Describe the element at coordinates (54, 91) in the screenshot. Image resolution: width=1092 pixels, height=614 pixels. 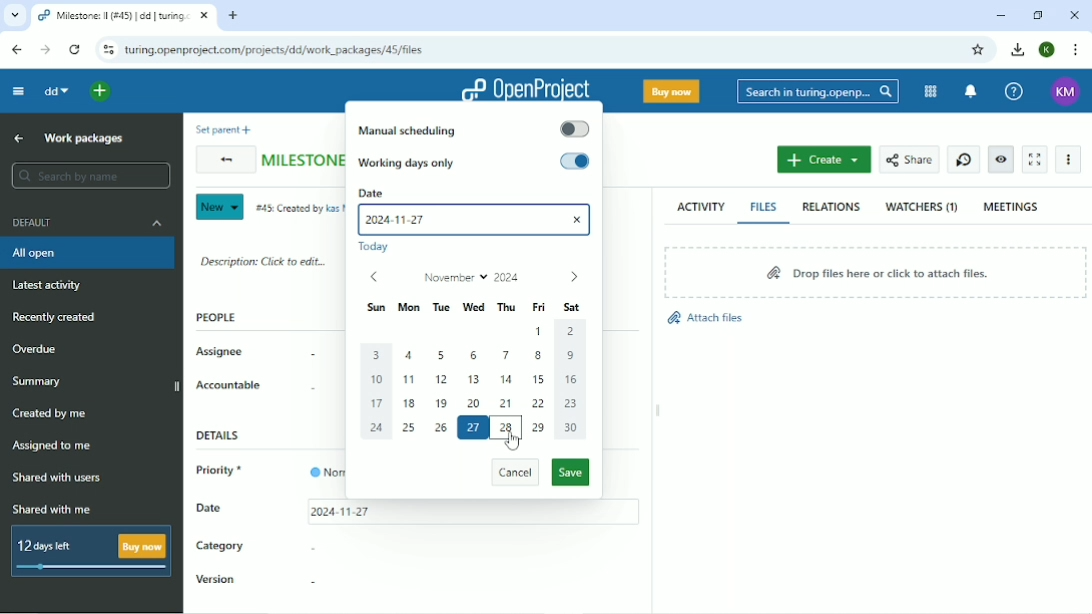
I see `dd` at that location.